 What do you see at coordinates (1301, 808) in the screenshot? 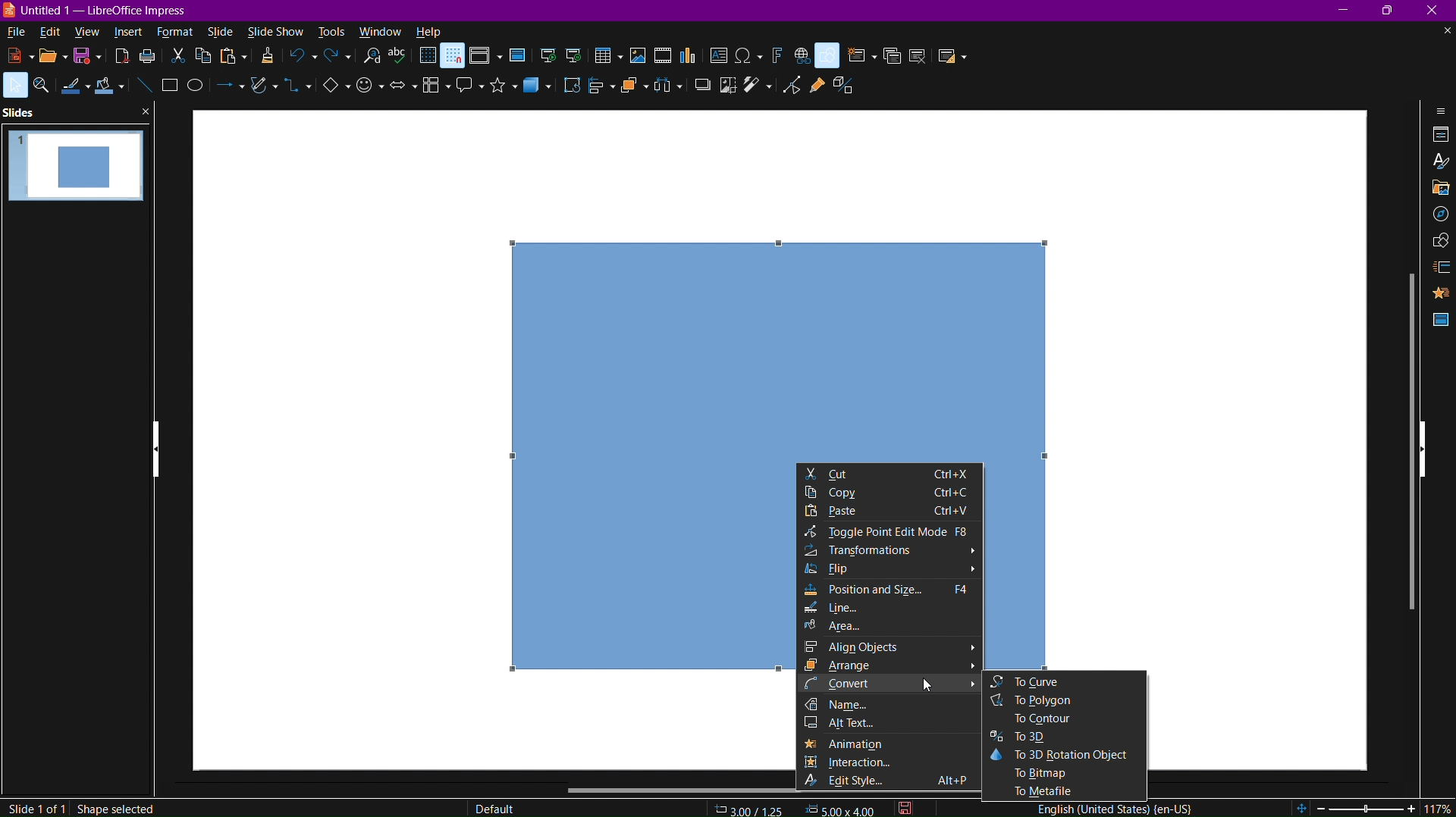
I see `fit page to current window` at bounding box center [1301, 808].